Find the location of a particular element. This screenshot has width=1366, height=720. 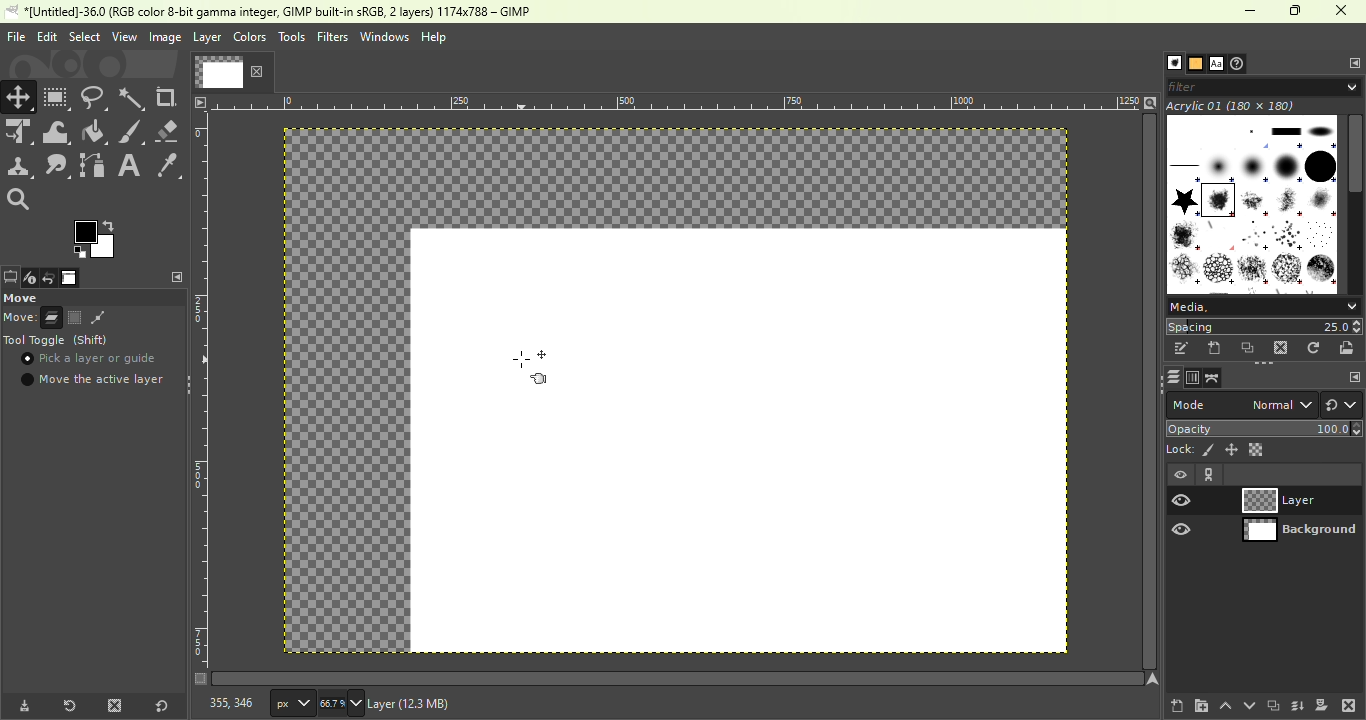

Crop tool is located at coordinates (169, 98).